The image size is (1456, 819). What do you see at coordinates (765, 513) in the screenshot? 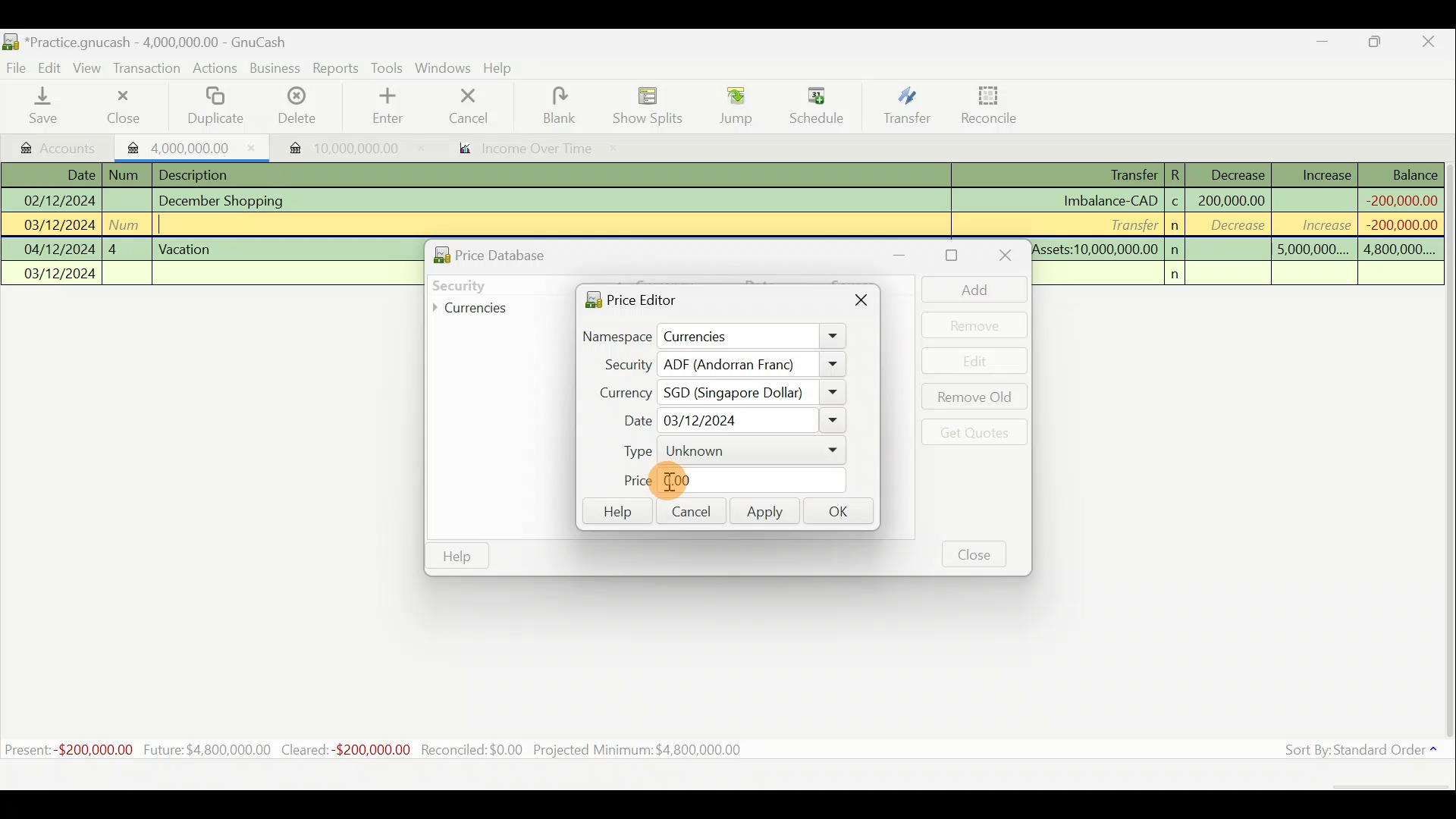
I see `Apply` at bounding box center [765, 513].